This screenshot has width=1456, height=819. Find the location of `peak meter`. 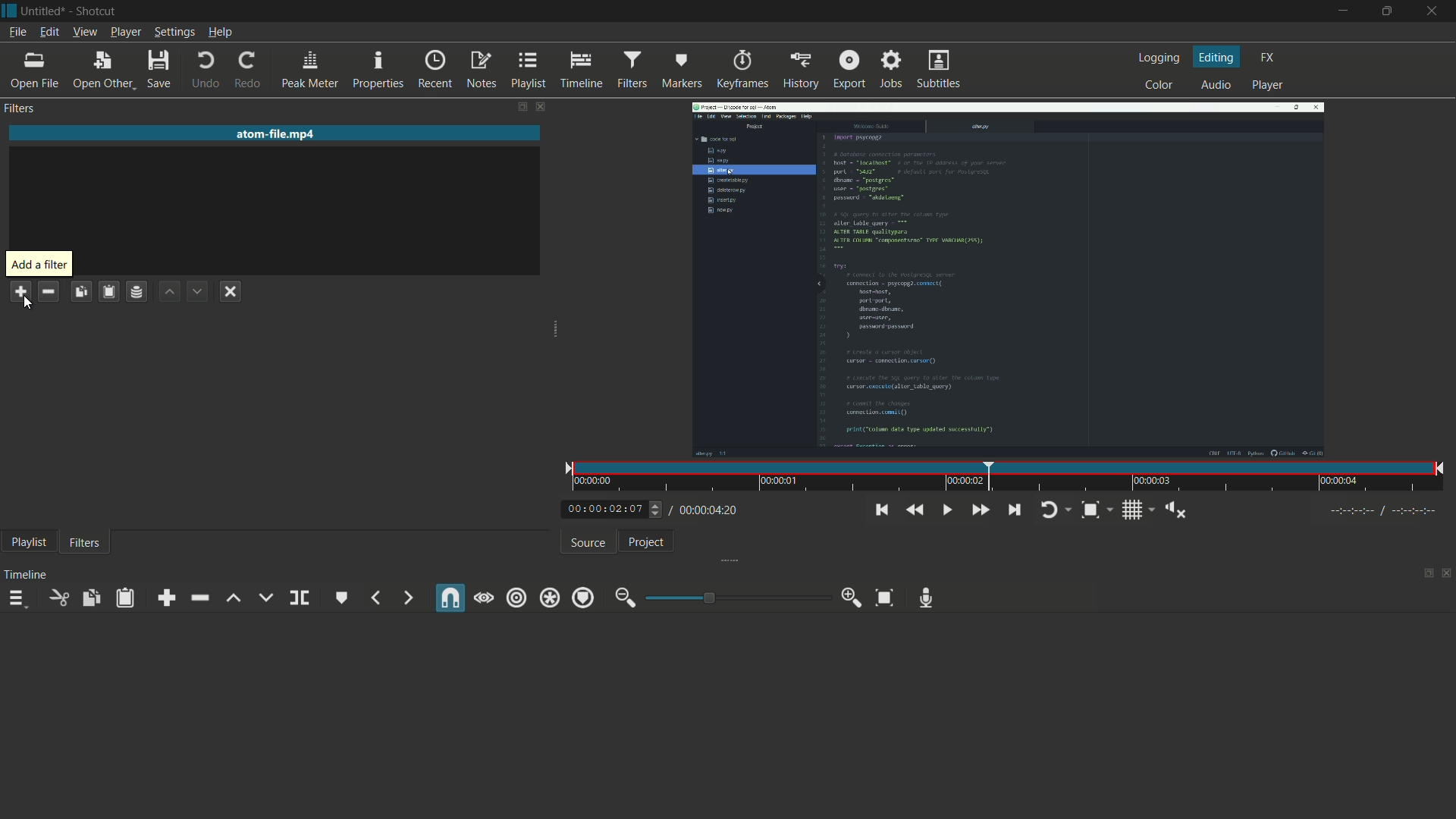

peak meter is located at coordinates (309, 71).